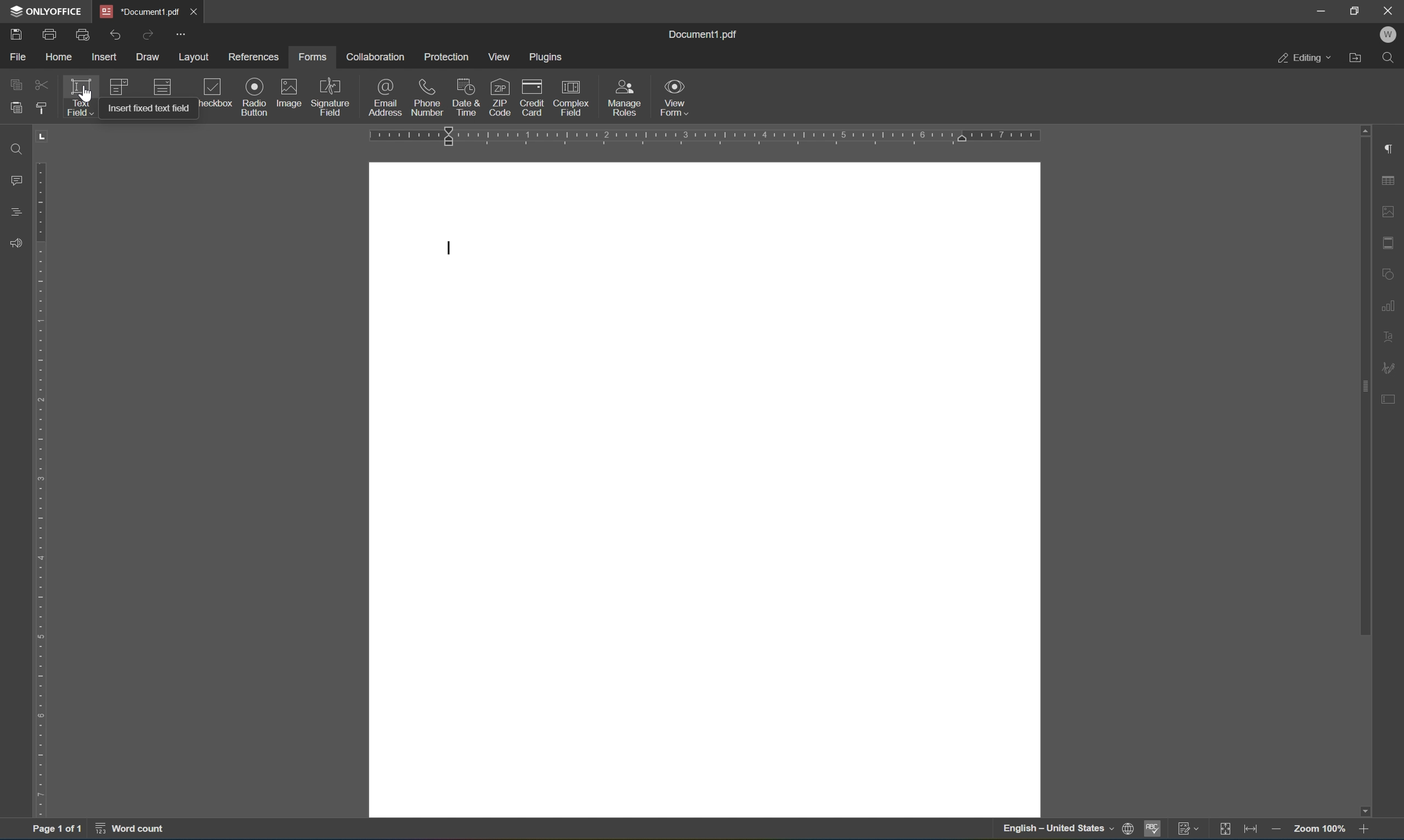 This screenshot has width=1404, height=840. What do you see at coordinates (1322, 829) in the screenshot?
I see `zoom out` at bounding box center [1322, 829].